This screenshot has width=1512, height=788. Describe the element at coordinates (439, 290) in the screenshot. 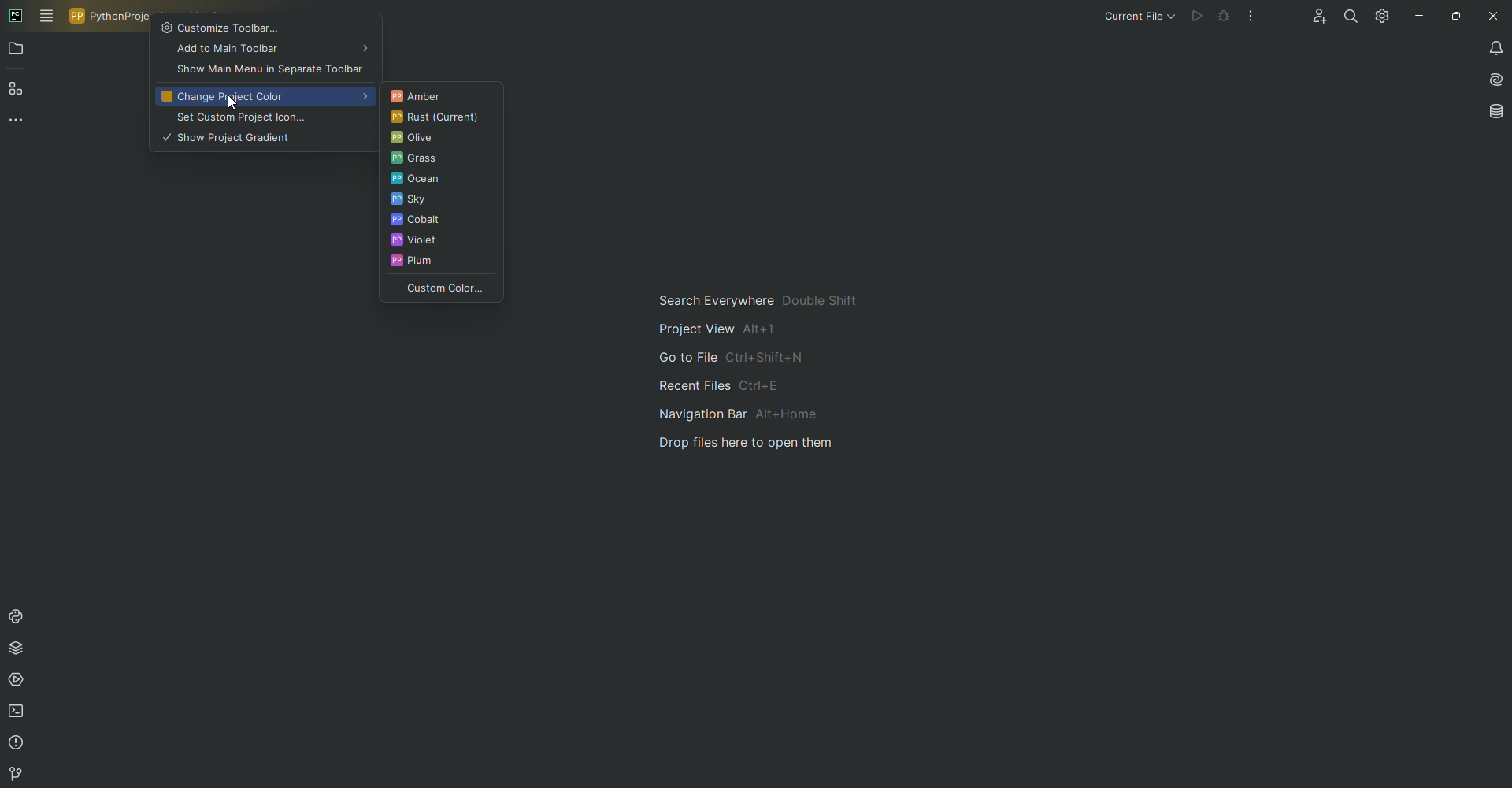

I see `Custom Color` at that location.